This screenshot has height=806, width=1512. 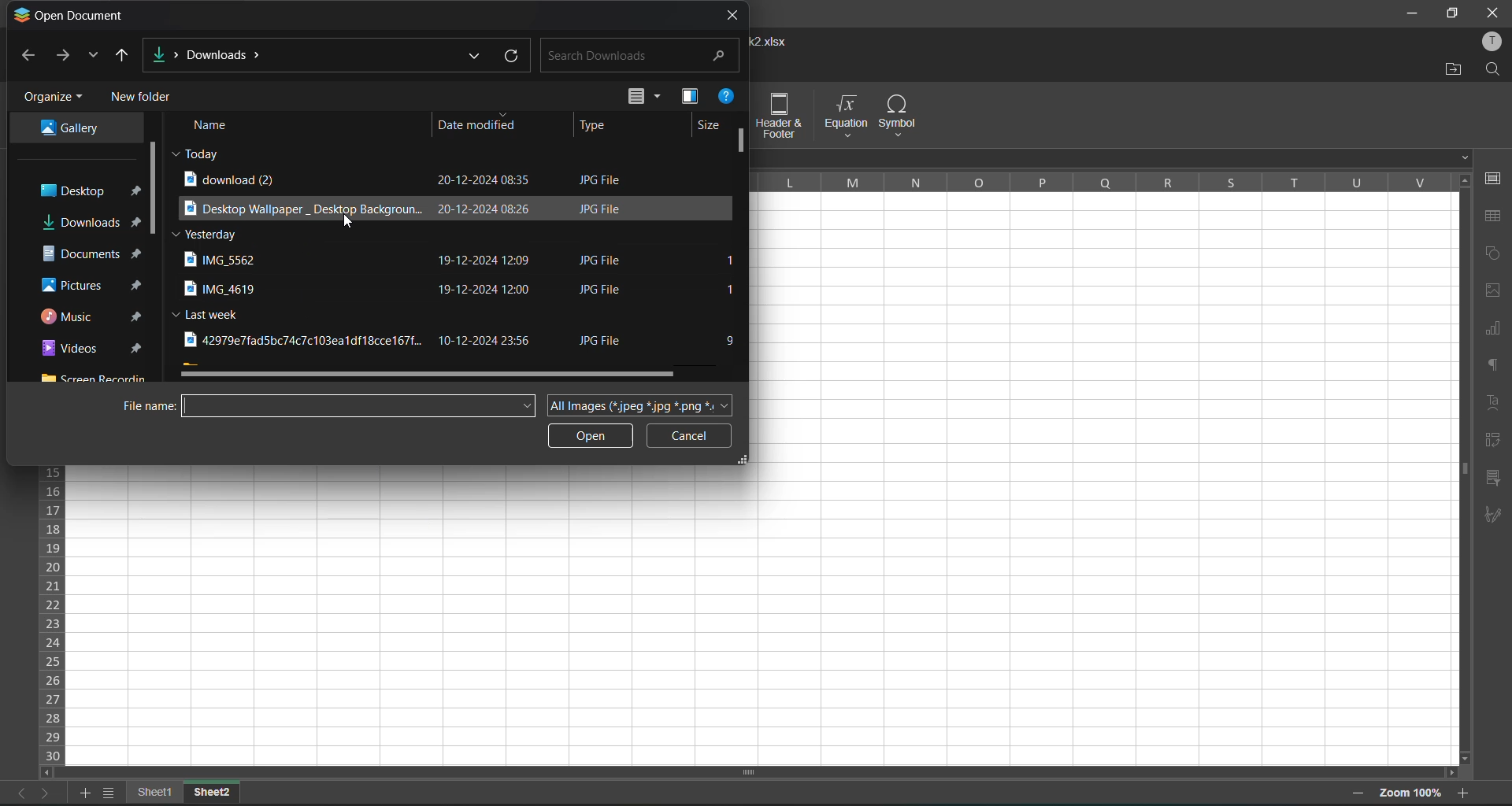 I want to click on name, so click(x=214, y=125).